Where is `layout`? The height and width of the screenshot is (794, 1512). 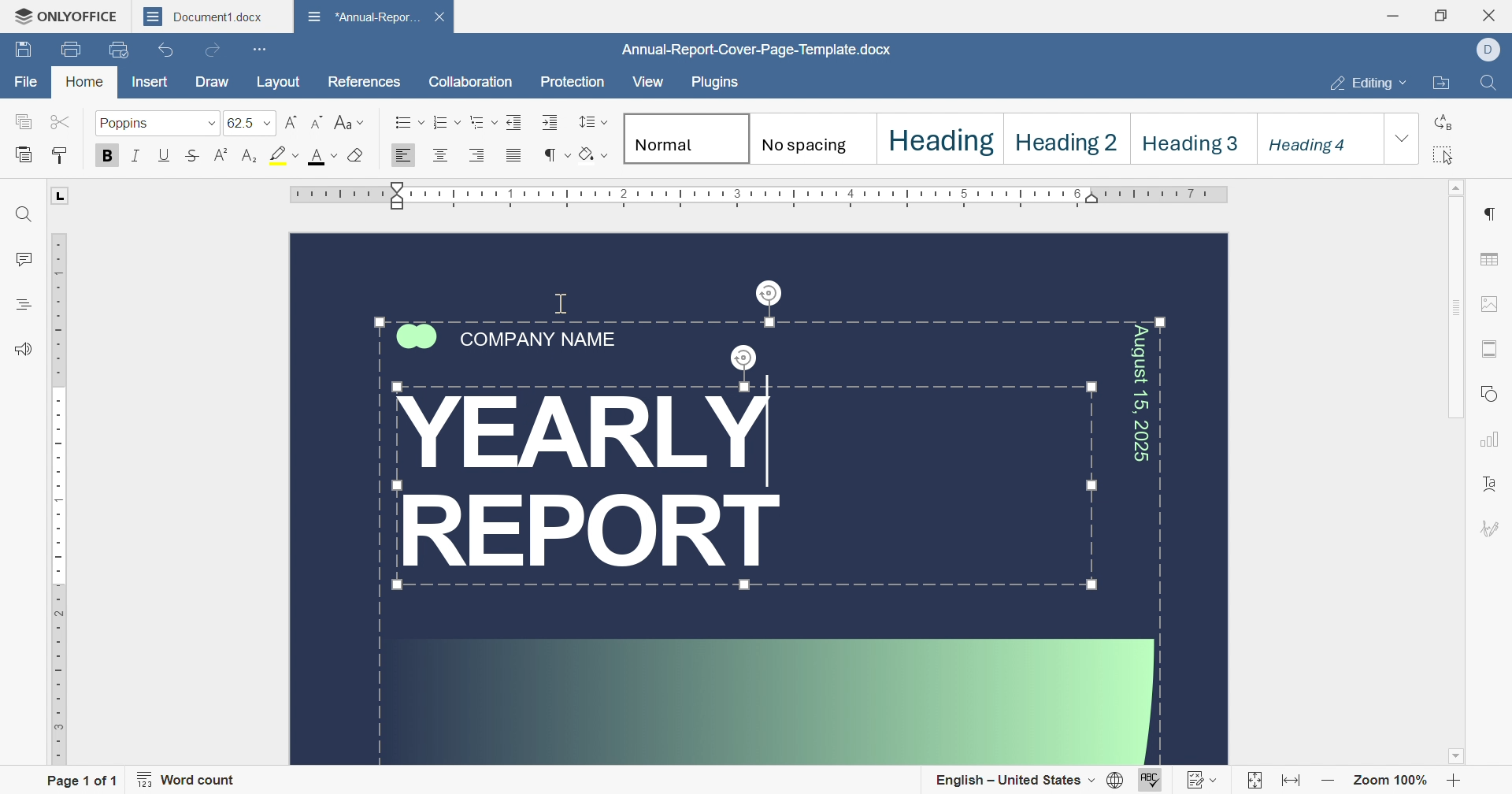
layout is located at coordinates (279, 81).